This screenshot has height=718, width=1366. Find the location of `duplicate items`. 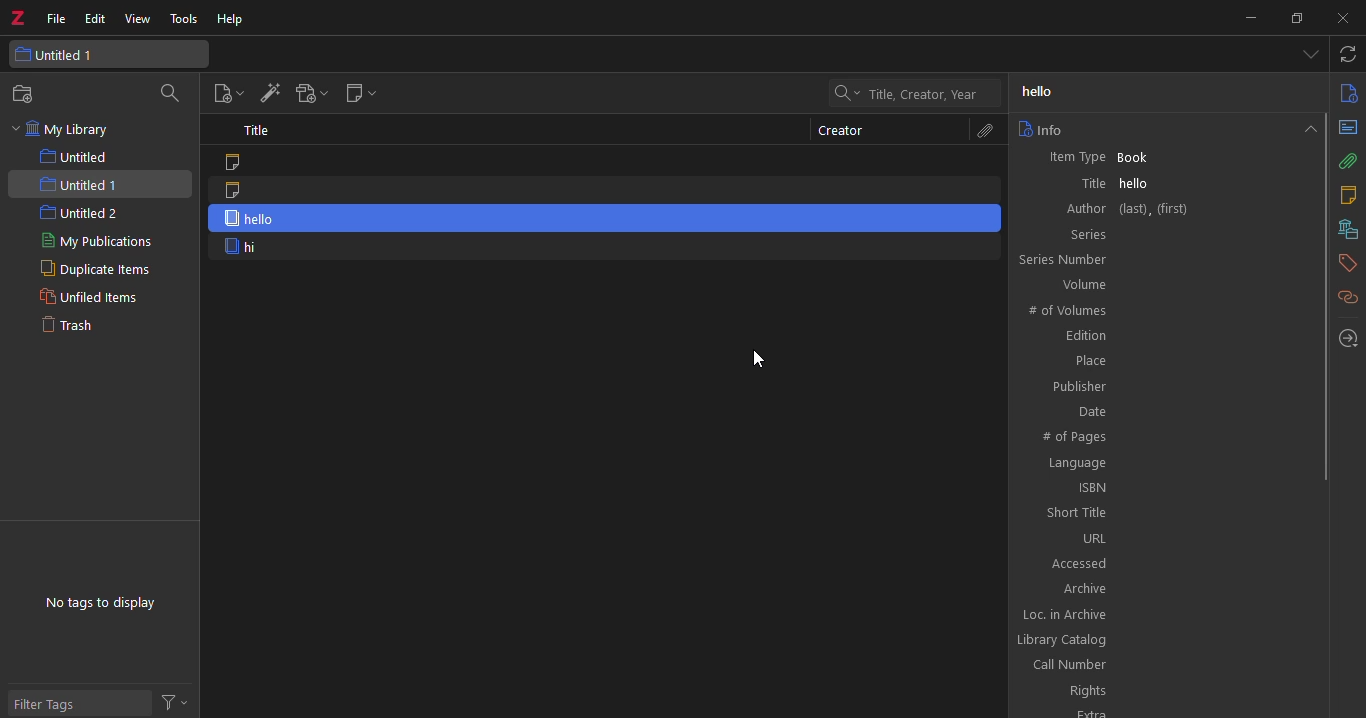

duplicate items is located at coordinates (88, 271).